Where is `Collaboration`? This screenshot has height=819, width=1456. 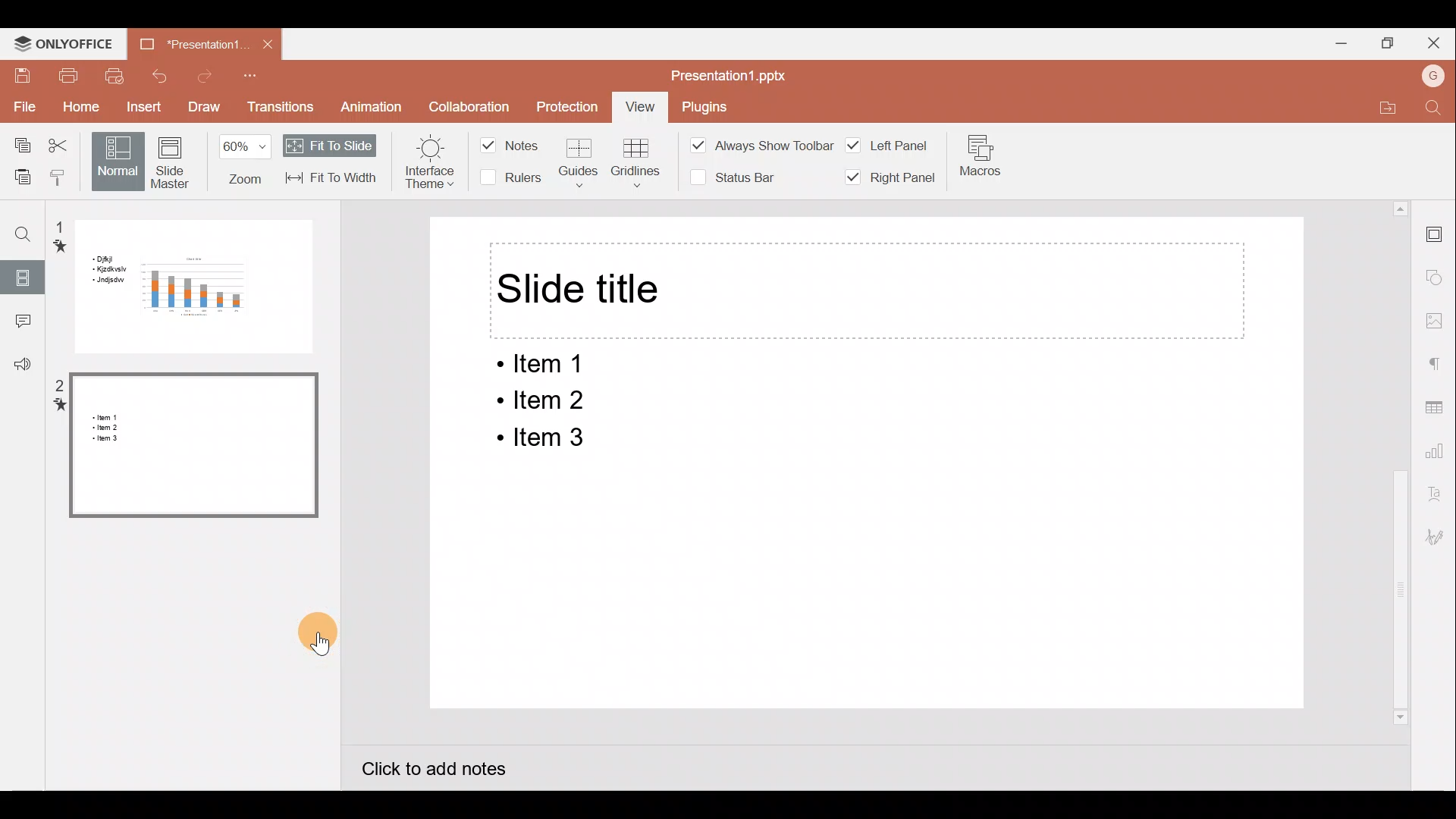 Collaboration is located at coordinates (469, 102).